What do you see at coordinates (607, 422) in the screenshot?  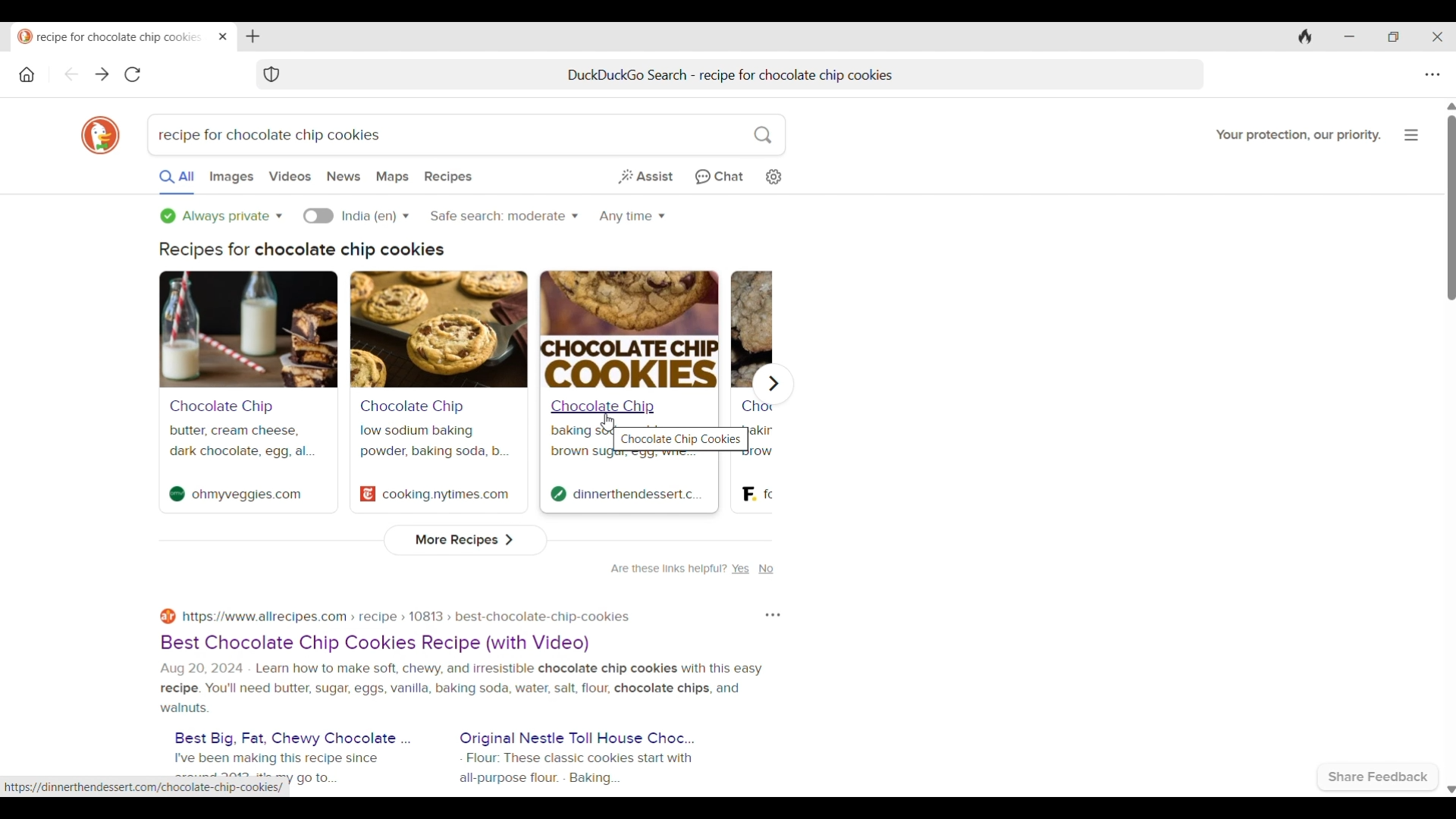 I see `Cursor` at bounding box center [607, 422].